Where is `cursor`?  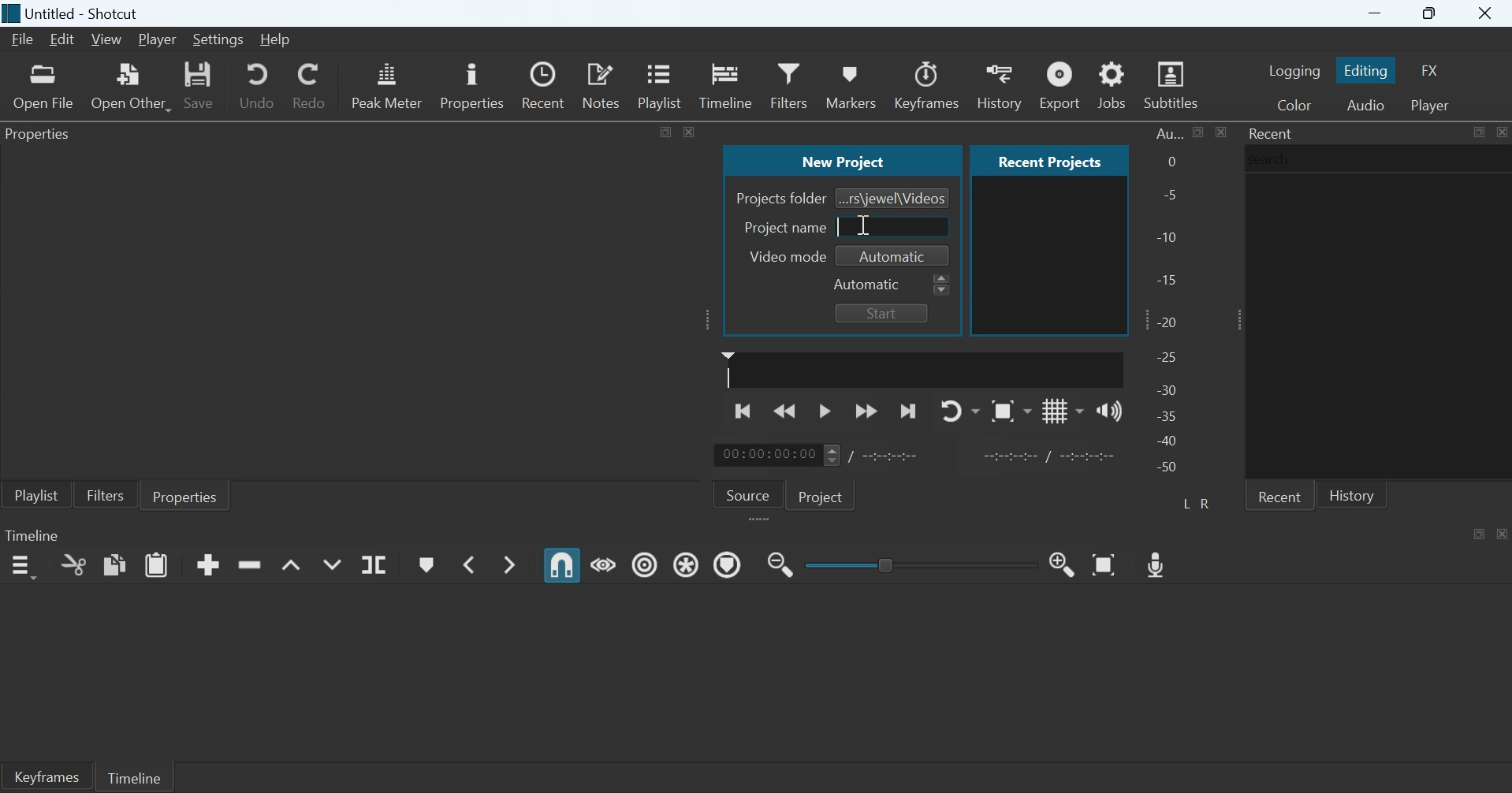
cursor is located at coordinates (840, 226).